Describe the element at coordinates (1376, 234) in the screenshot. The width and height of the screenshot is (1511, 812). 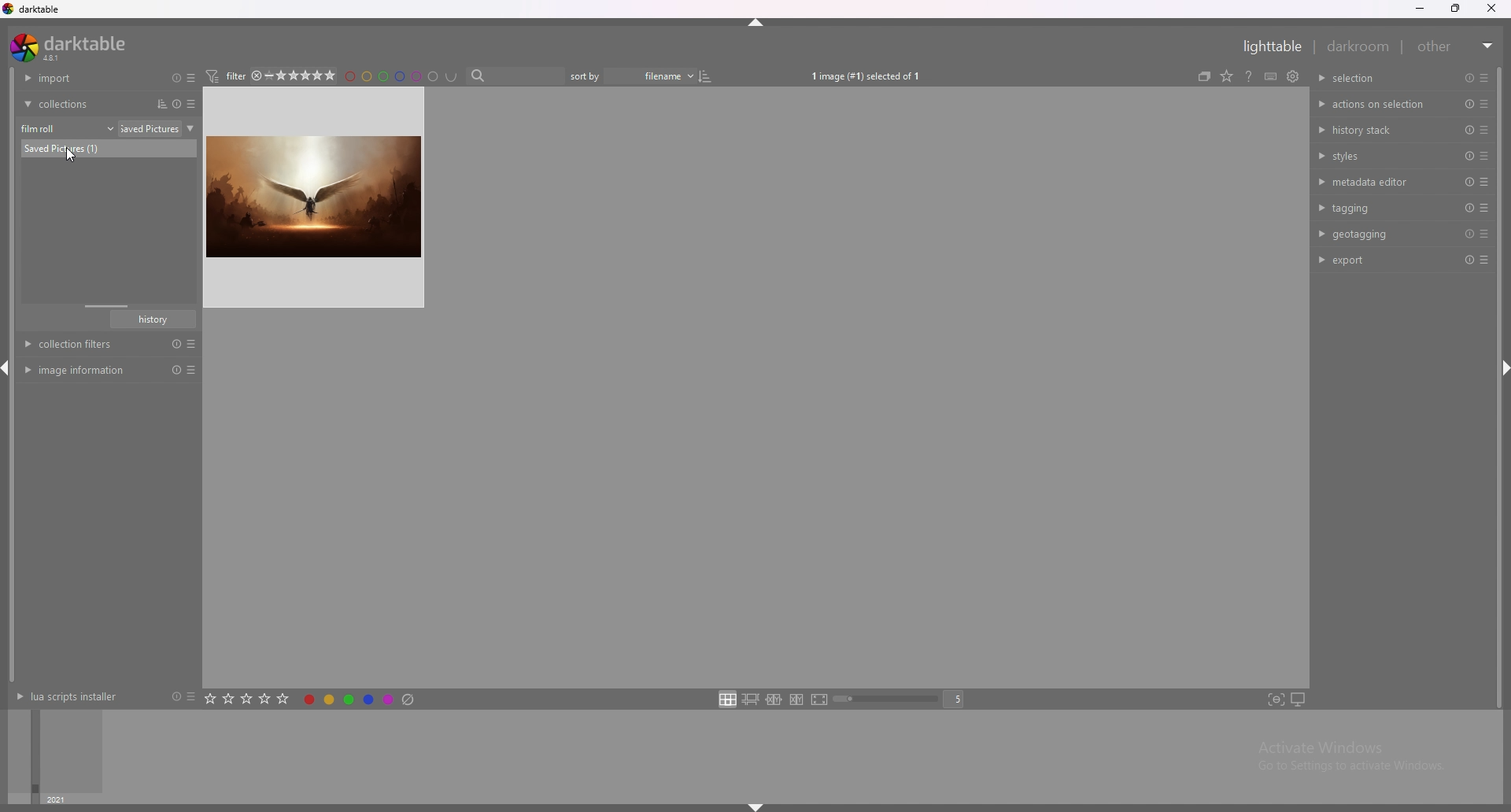
I see `geotagging` at that location.